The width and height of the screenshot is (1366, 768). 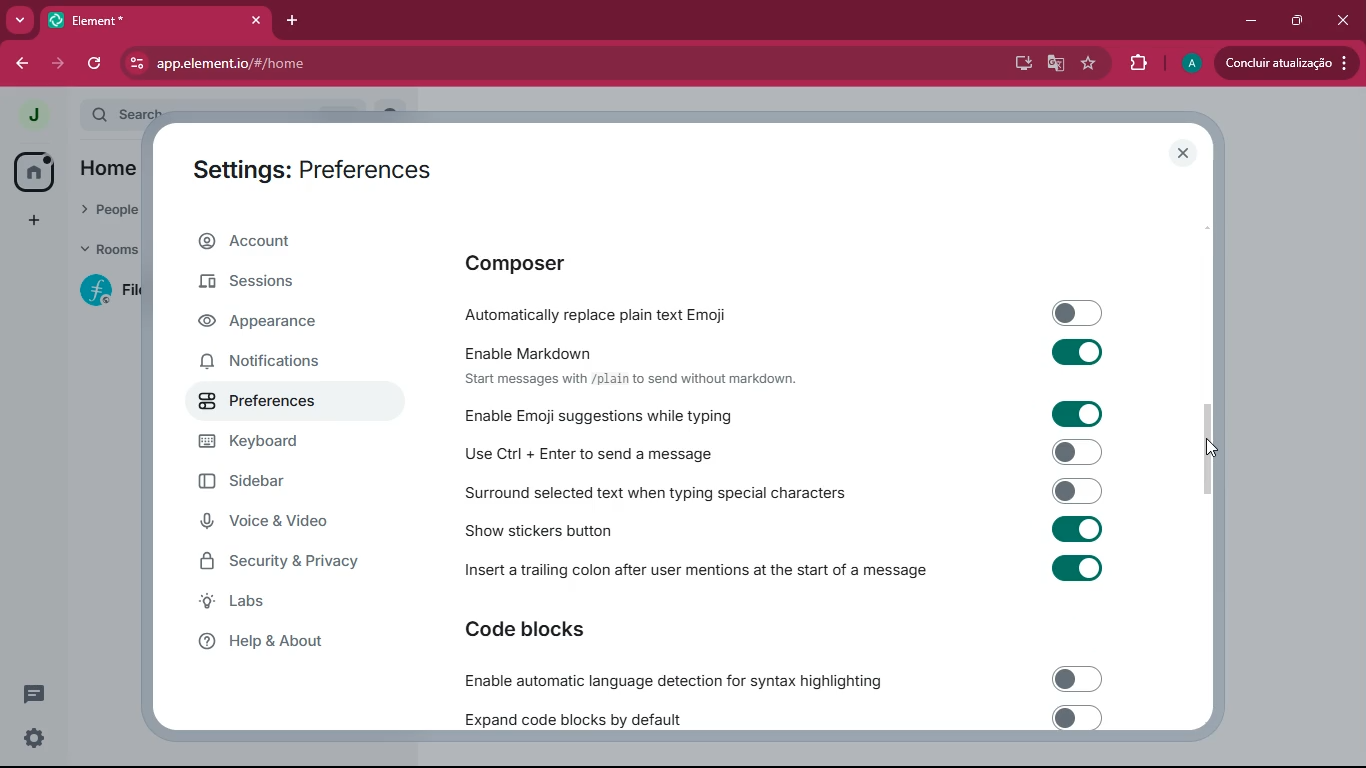 What do you see at coordinates (270, 522) in the screenshot?
I see `voice & video` at bounding box center [270, 522].